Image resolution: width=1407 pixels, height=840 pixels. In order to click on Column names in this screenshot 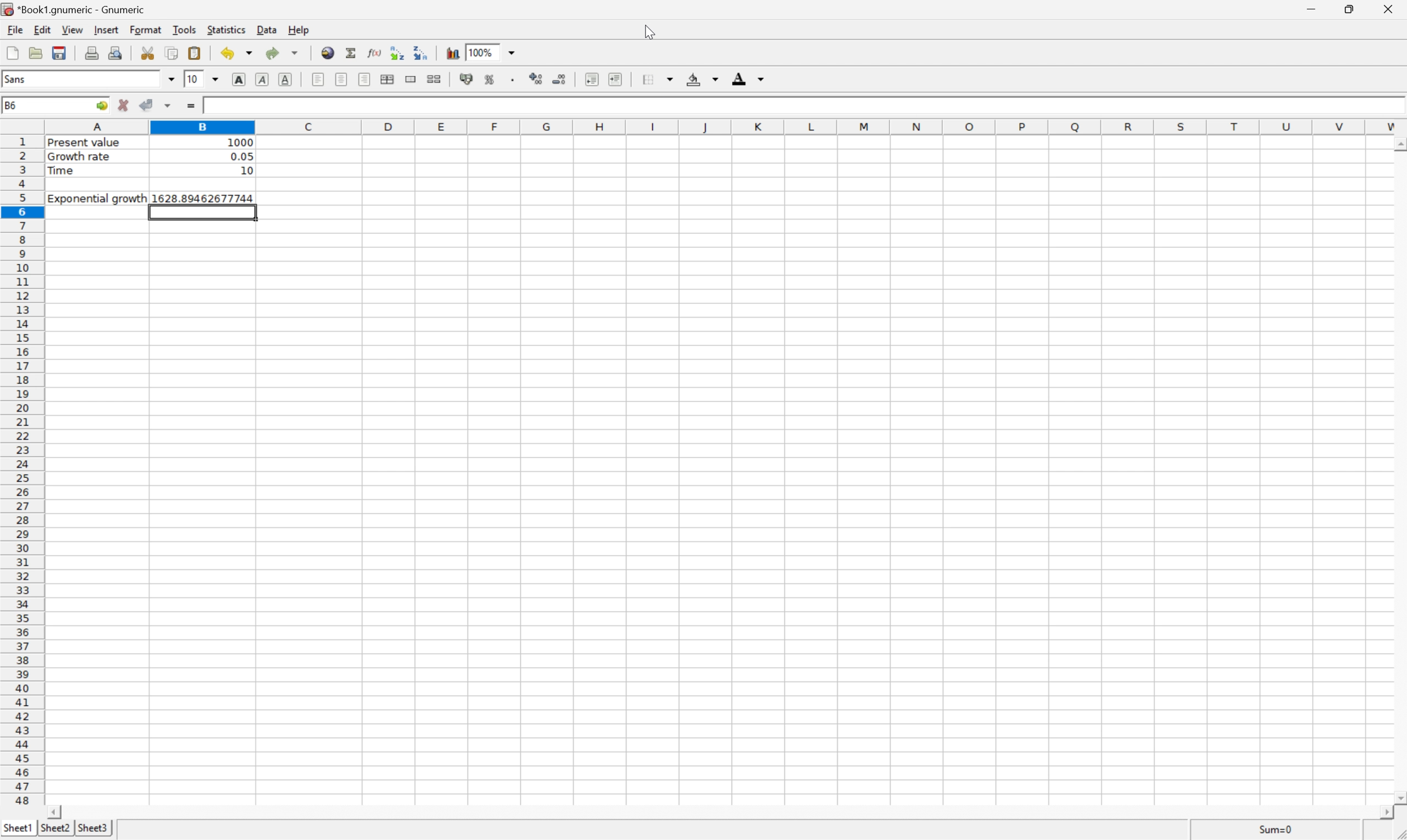, I will do `click(726, 127)`.